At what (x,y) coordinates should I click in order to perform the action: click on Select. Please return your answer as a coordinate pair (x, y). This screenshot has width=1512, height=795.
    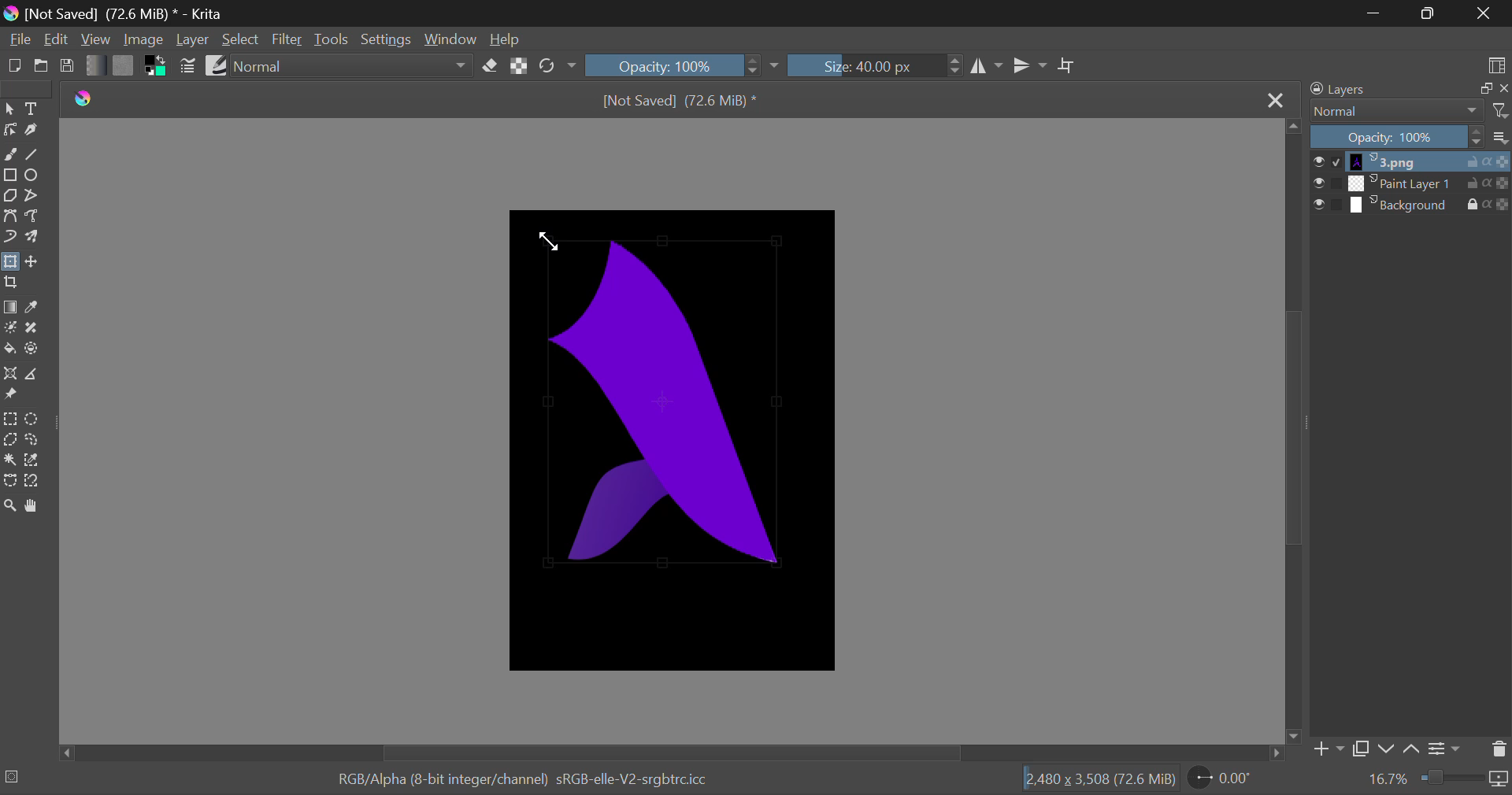
    Looking at the image, I should click on (241, 39).